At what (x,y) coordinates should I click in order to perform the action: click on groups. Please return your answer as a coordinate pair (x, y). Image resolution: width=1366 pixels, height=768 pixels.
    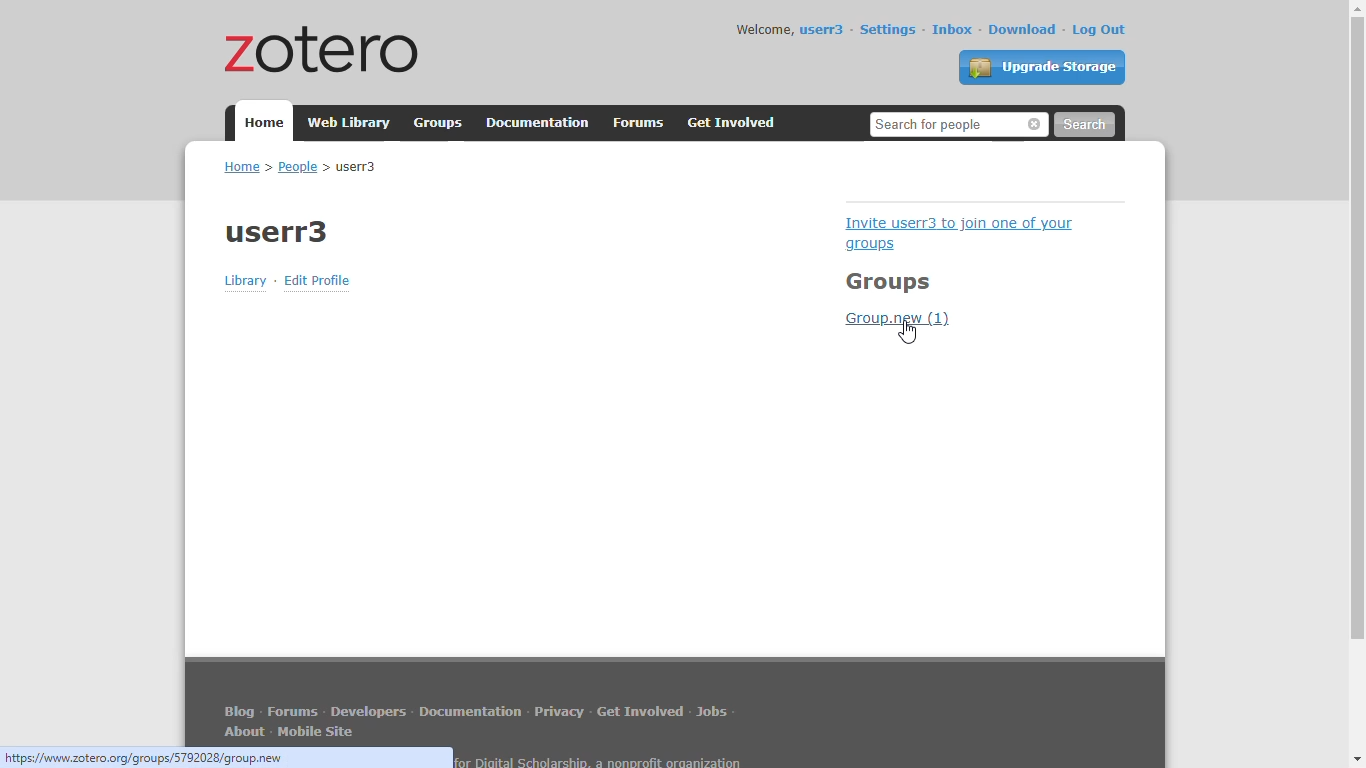
    Looking at the image, I should click on (440, 123).